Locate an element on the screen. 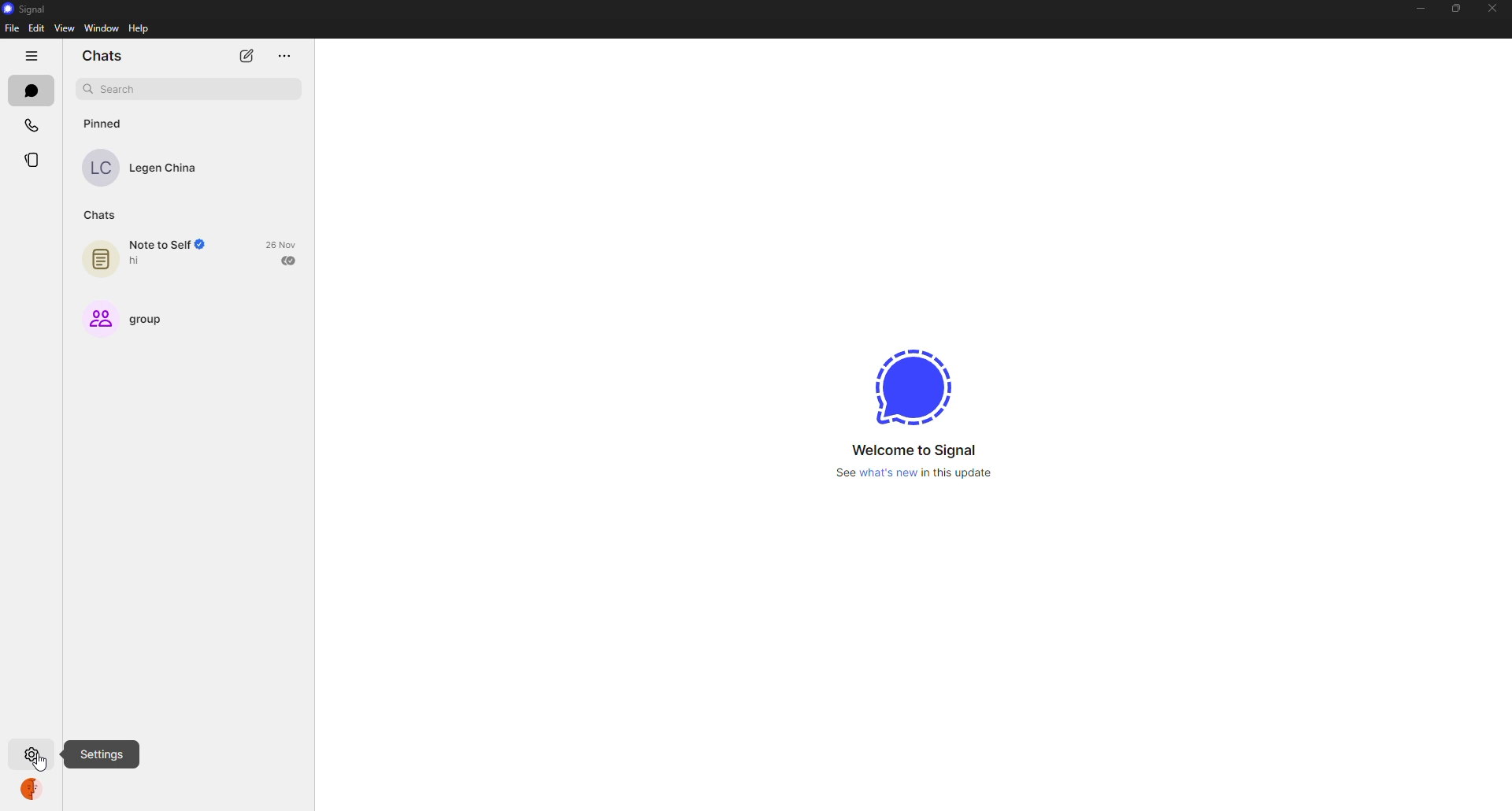 The width and height of the screenshot is (1512, 811). chats is located at coordinates (97, 214).